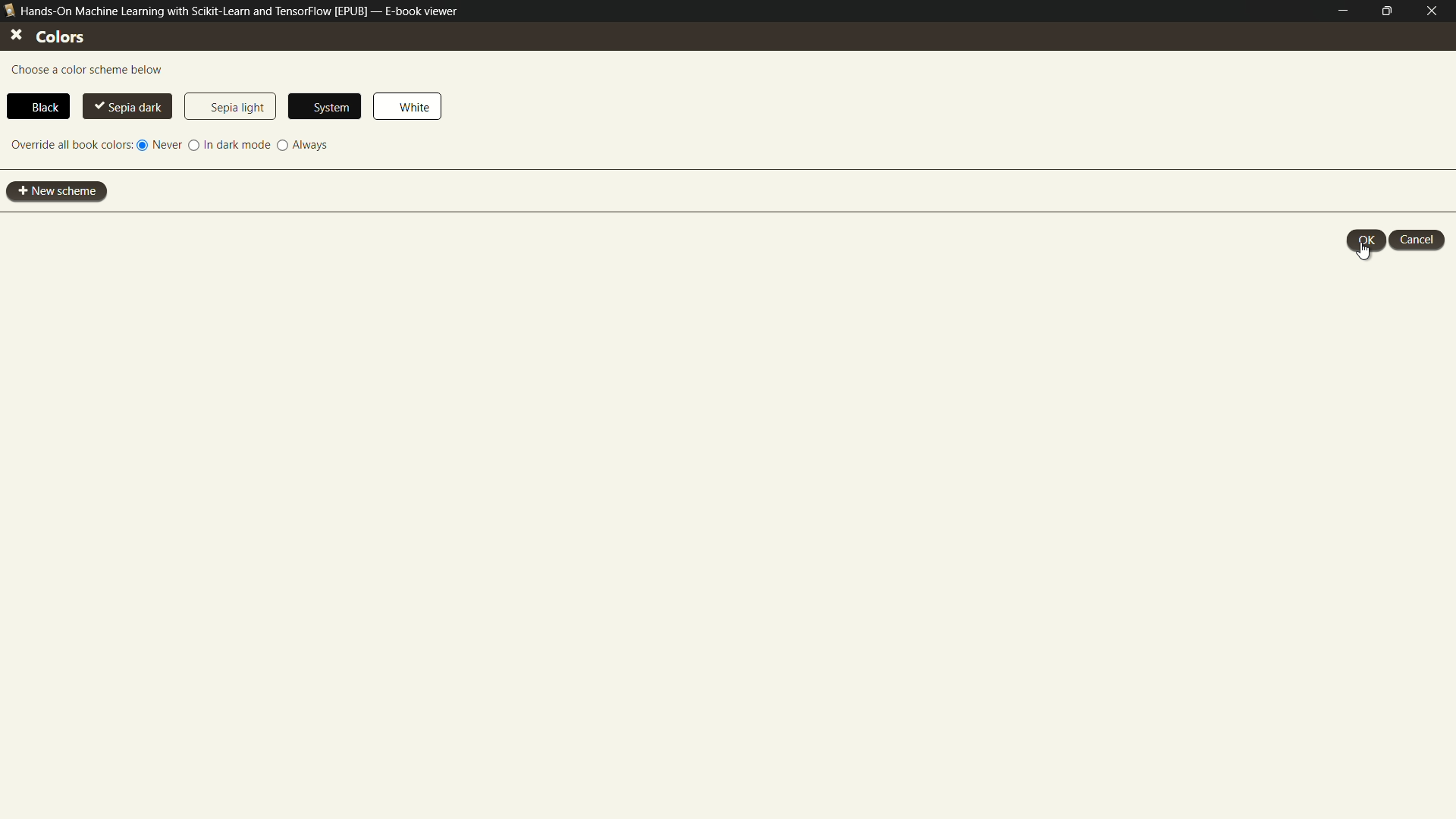 This screenshot has height=819, width=1456. What do you see at coordinates (232, 14) in the screenshot?
I see `Hands-On Machine Learning with Scikit-Learn and TensorFlow [EPUB] — E-book viewer` at bounding box center [232, 14].